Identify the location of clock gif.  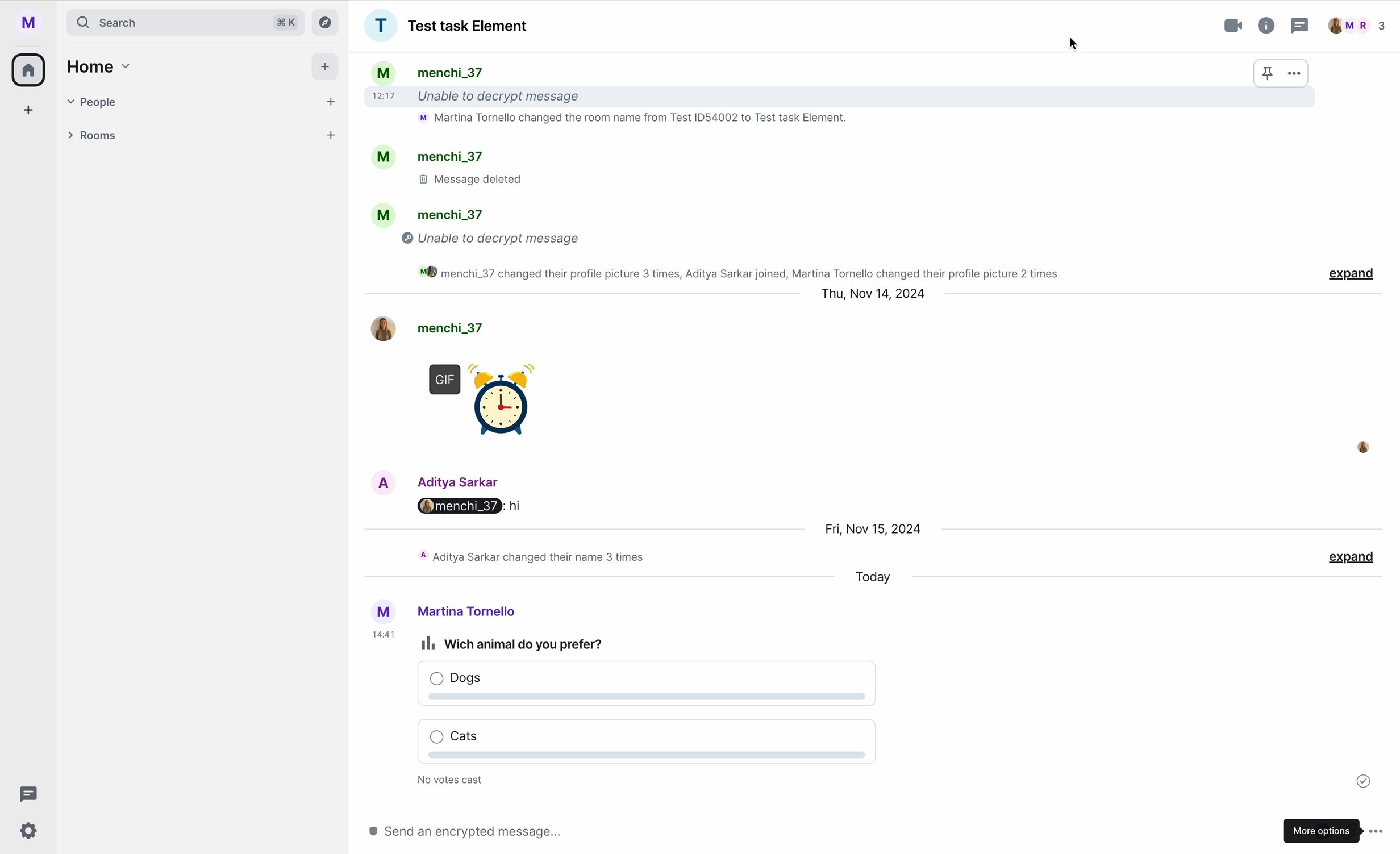
(485, 403).